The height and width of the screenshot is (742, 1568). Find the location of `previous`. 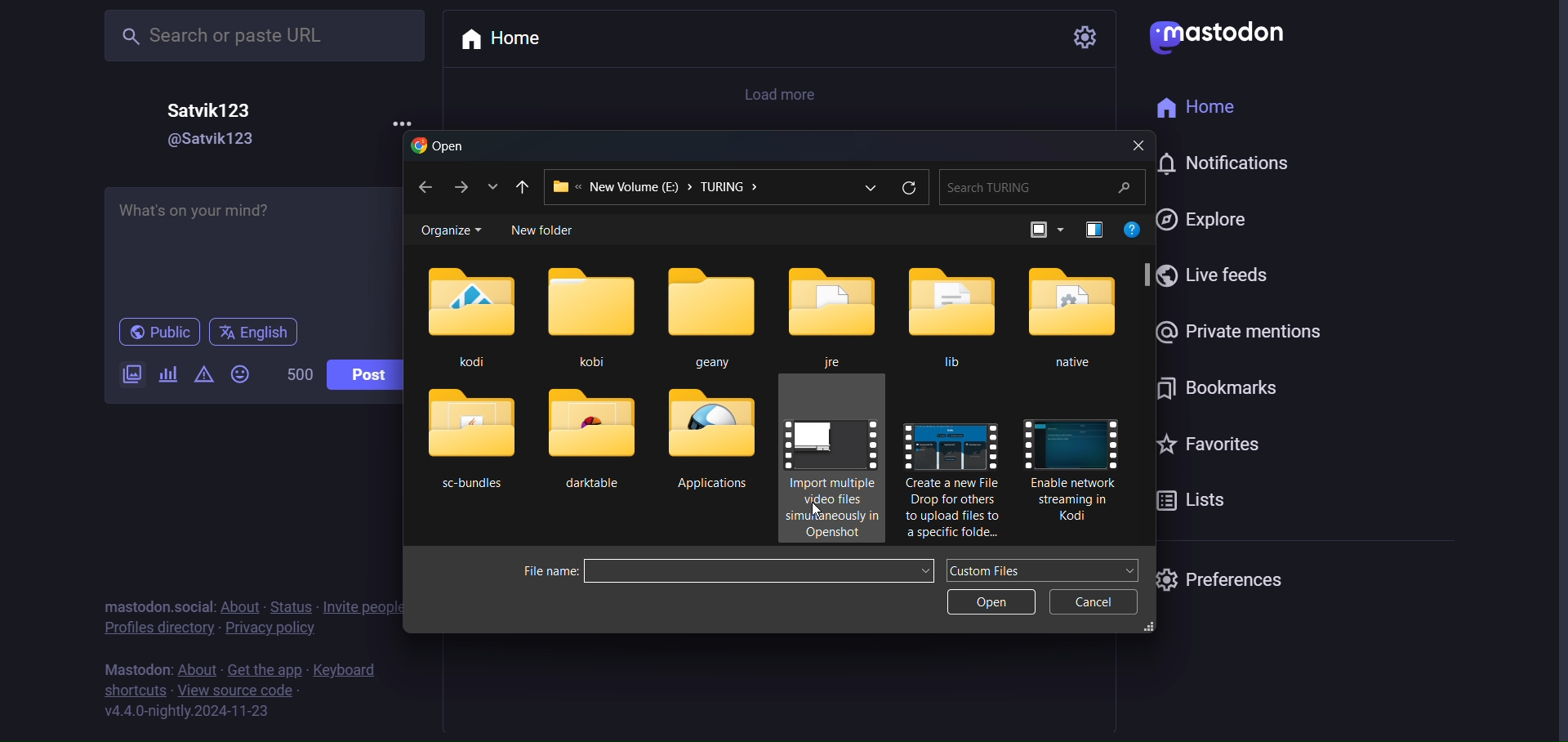

previous is located at coordinates (522, 185).